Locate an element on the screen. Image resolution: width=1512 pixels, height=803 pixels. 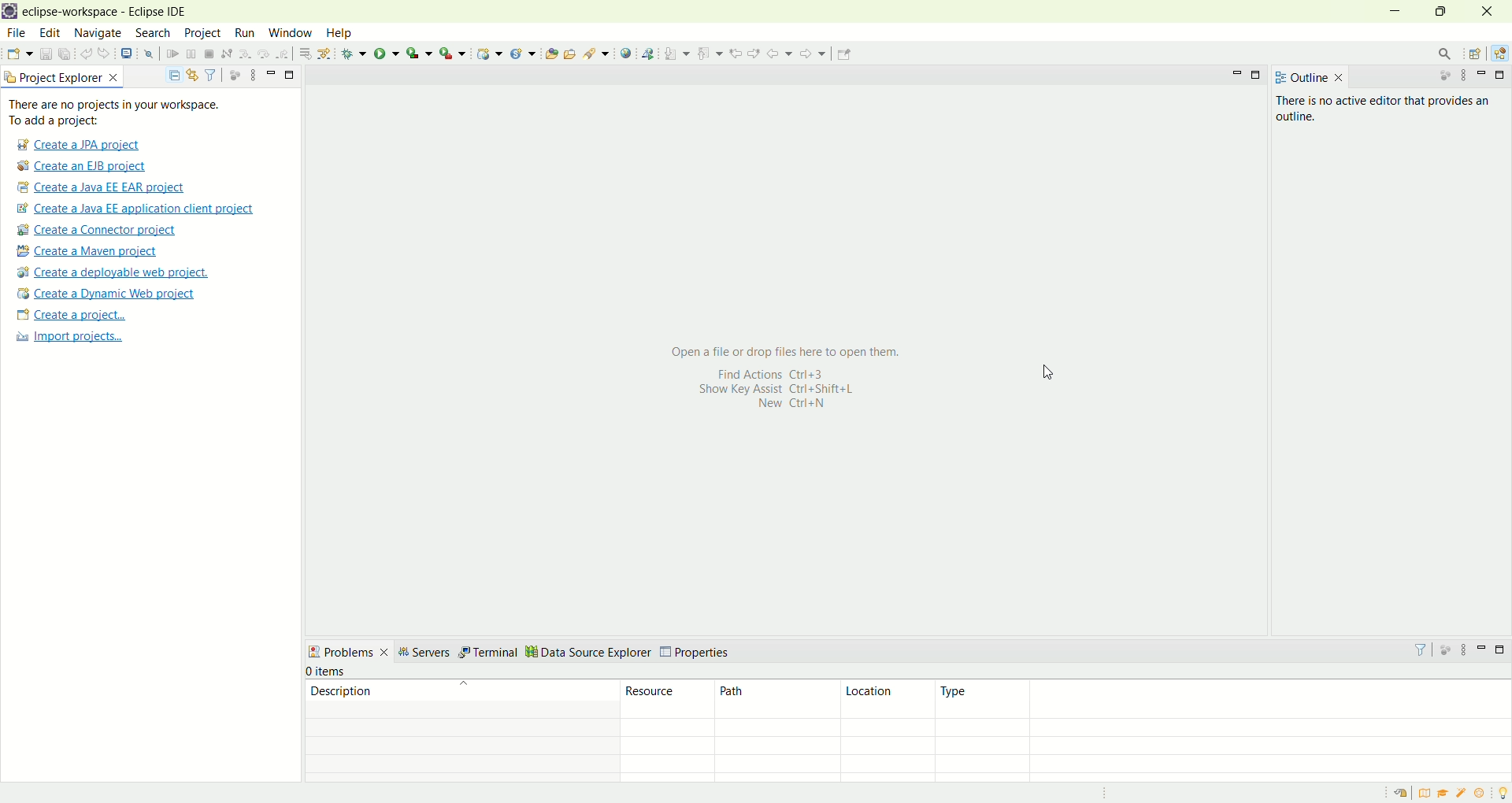
servers is located at coordinates (427, 652).